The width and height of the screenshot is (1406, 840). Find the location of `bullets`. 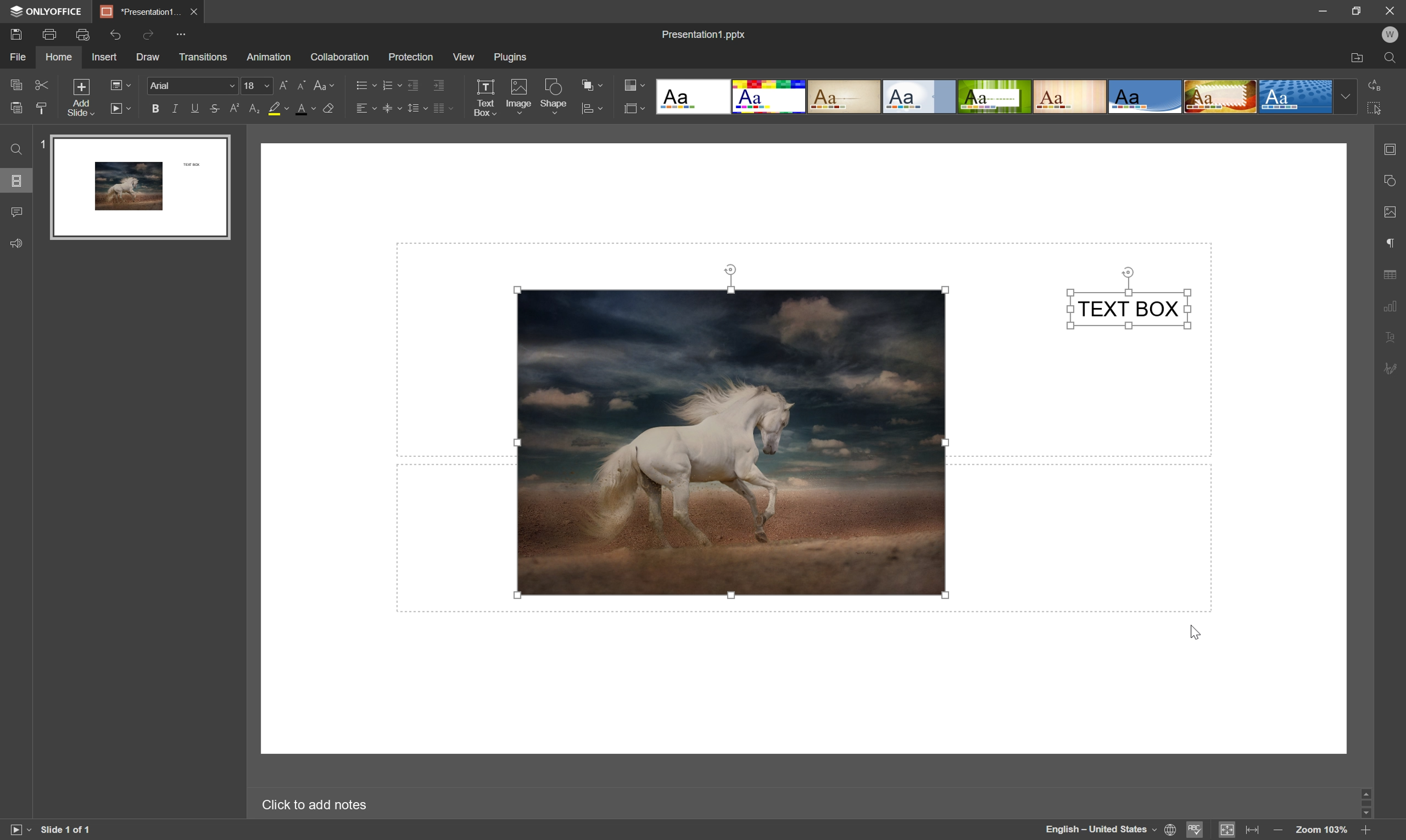

bullets is located at coordinates (364, 84).